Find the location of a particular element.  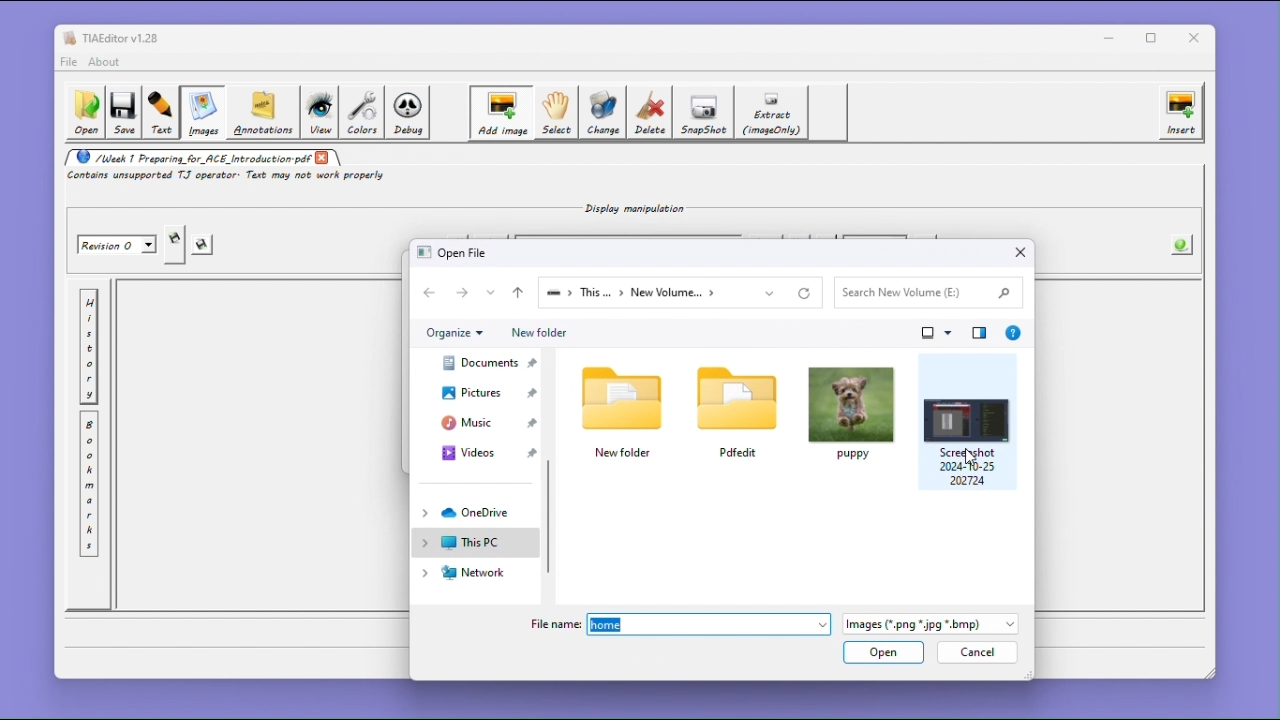

TIAEditor v1.28 is located at coordinates (111, 37).